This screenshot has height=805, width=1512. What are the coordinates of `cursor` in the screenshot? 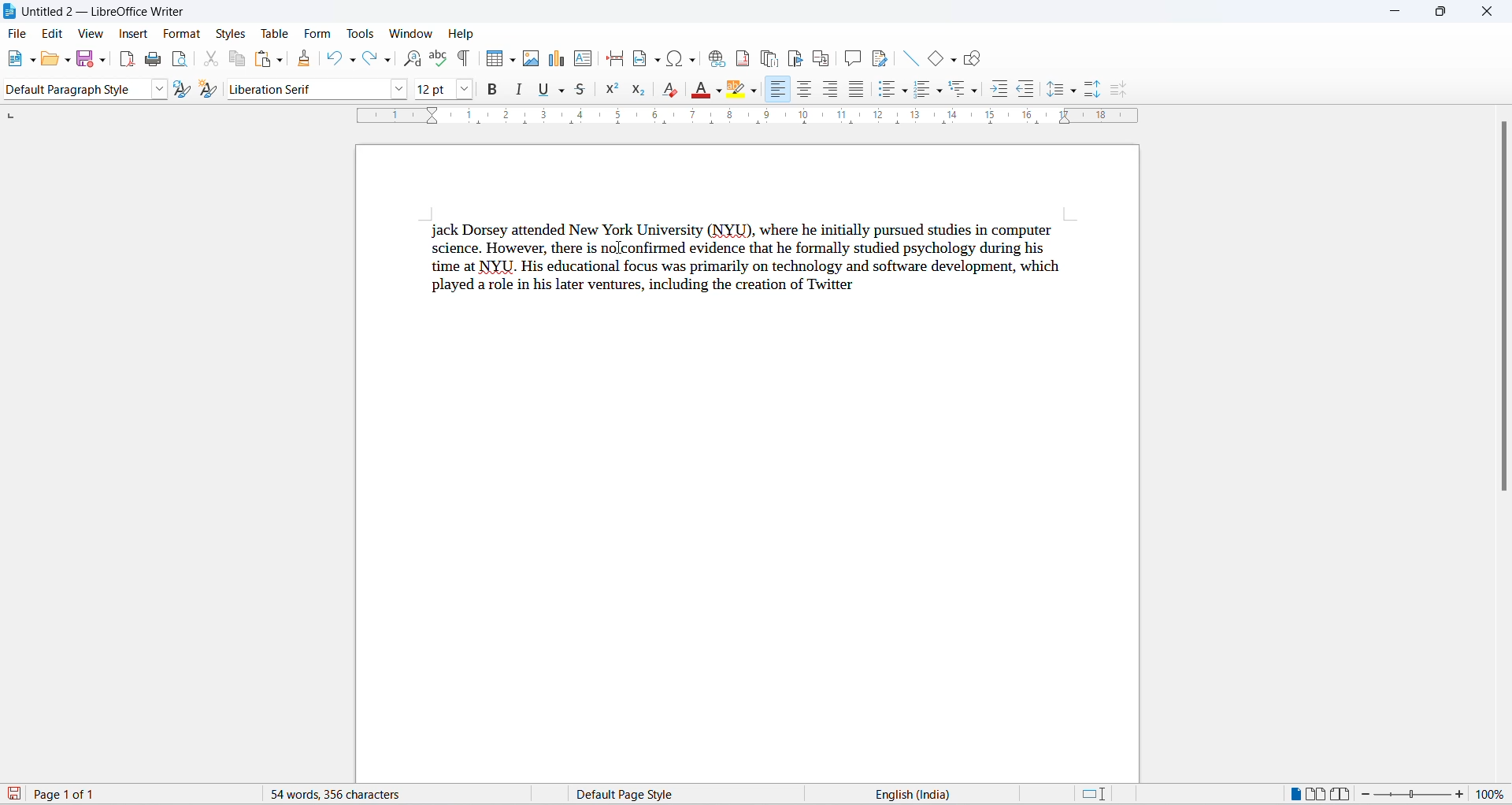 It's located at (621, 248).